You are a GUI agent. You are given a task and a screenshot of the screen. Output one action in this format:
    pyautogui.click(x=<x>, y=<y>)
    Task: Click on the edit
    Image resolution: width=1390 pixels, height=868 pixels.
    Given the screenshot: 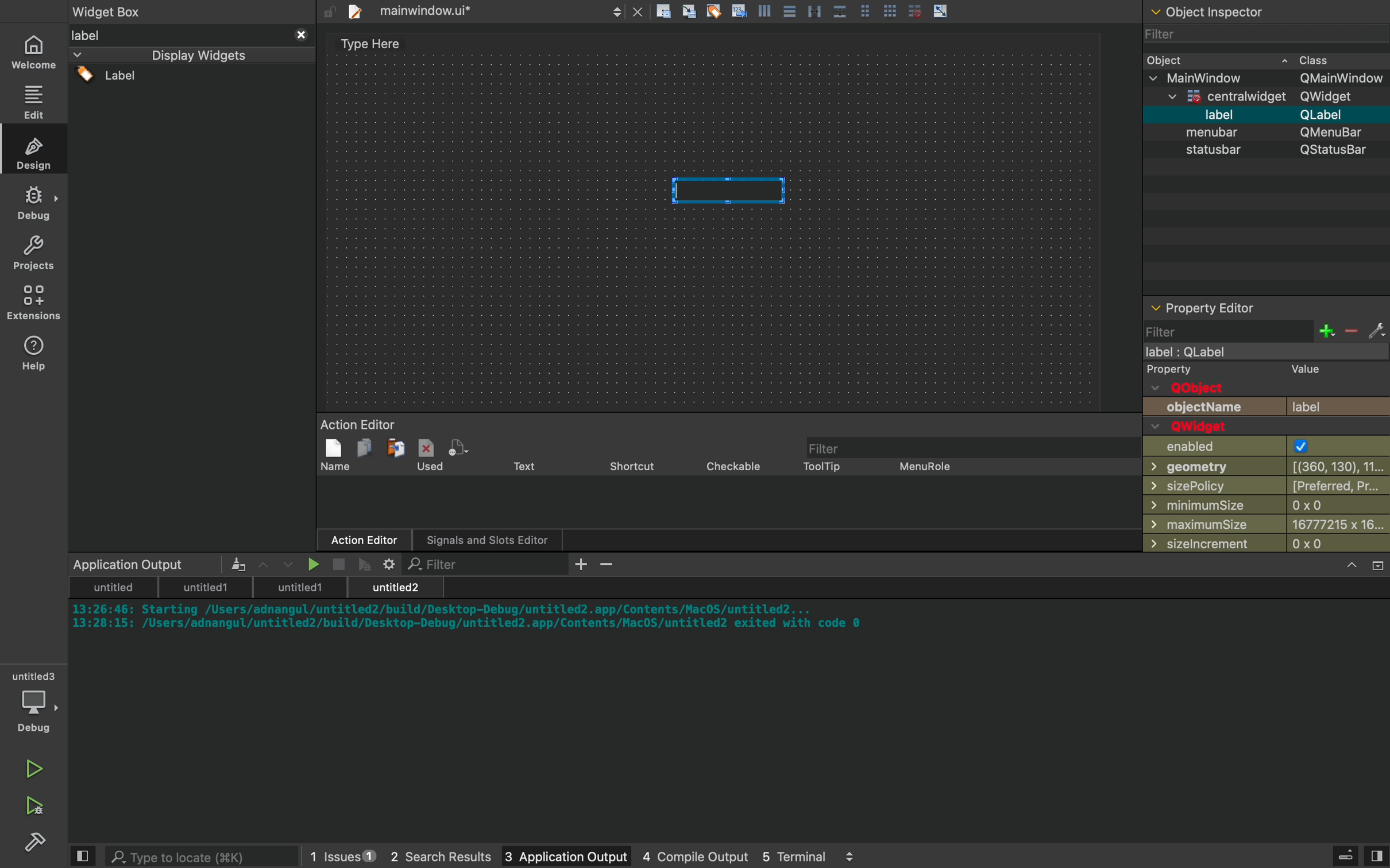 What is the action you would take?
    pyautogui.click(x=36, y=101)
    